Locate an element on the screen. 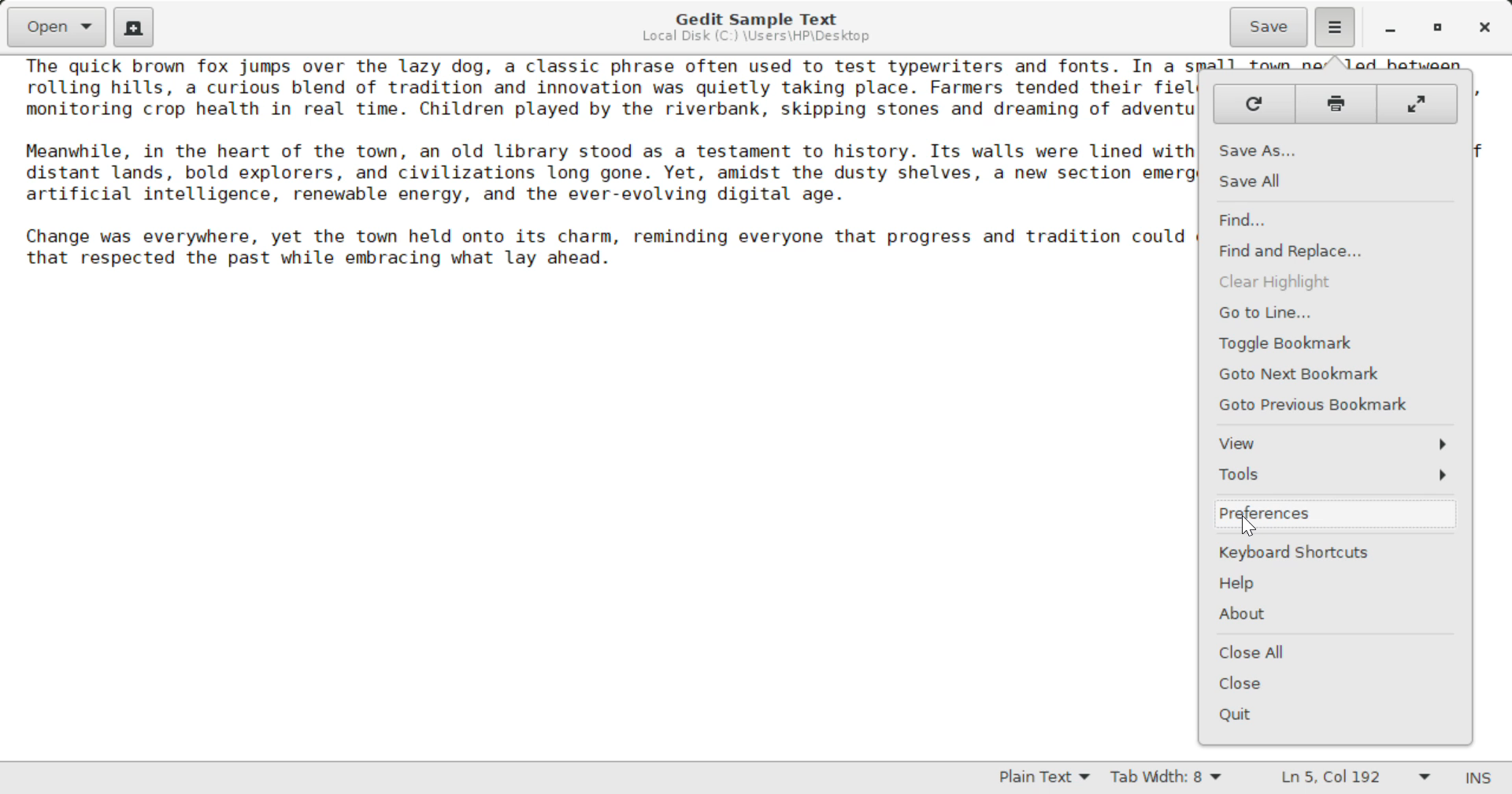 The image size is (1512, 794). Save As is located at coordinates (1282, 149).